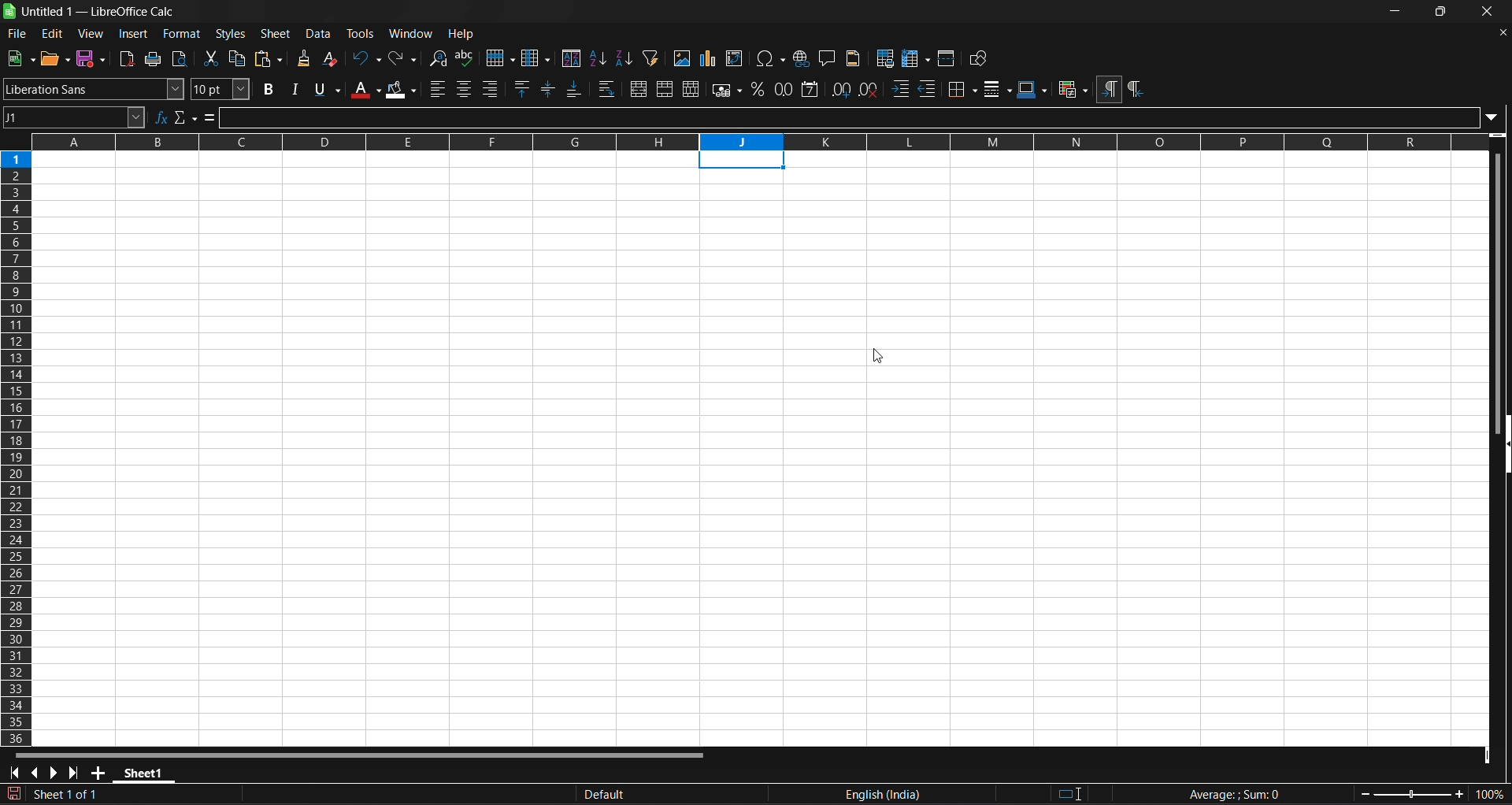  What do you see at coordinates (610, 89) in the screenshot?
I see `wrap text` at bounding box center [610, 89].